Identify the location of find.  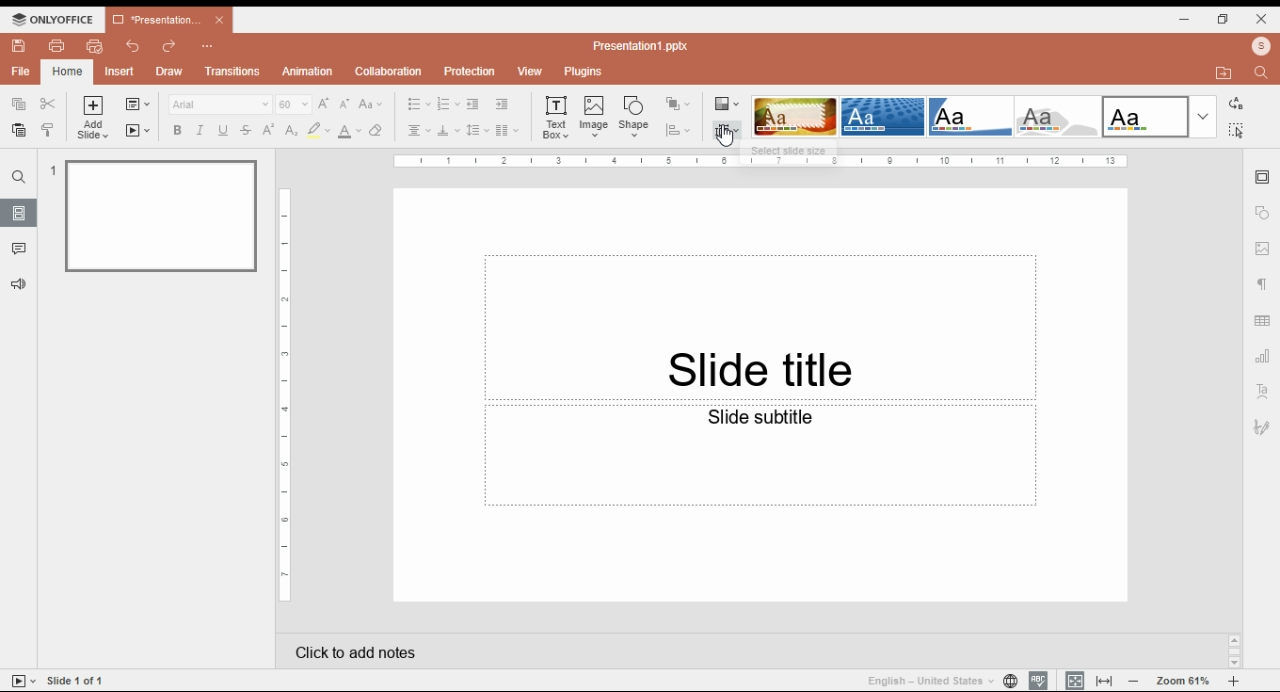
(1264, 71).